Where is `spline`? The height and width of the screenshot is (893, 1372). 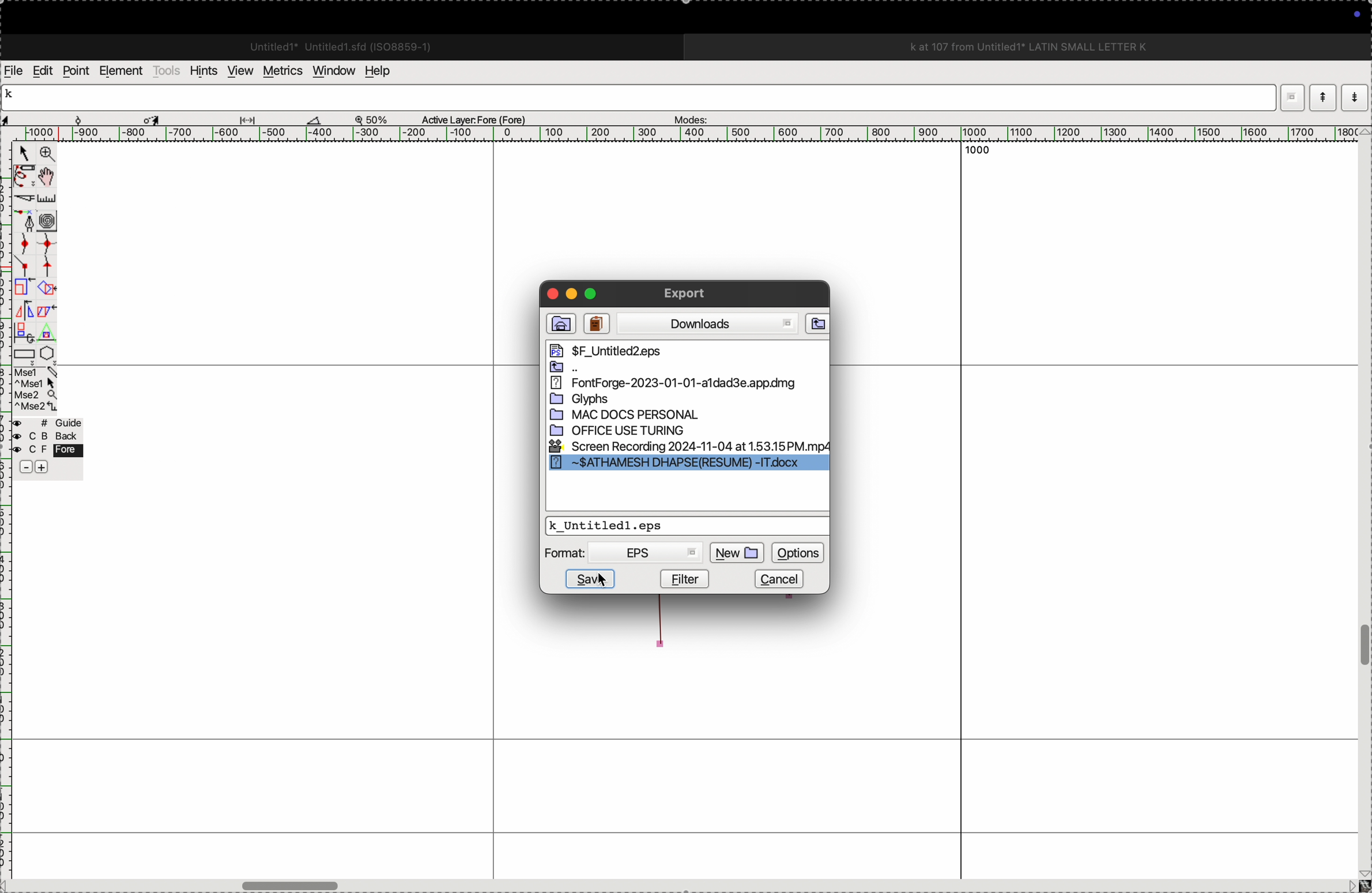
spline is located at coordinates (35, 253).